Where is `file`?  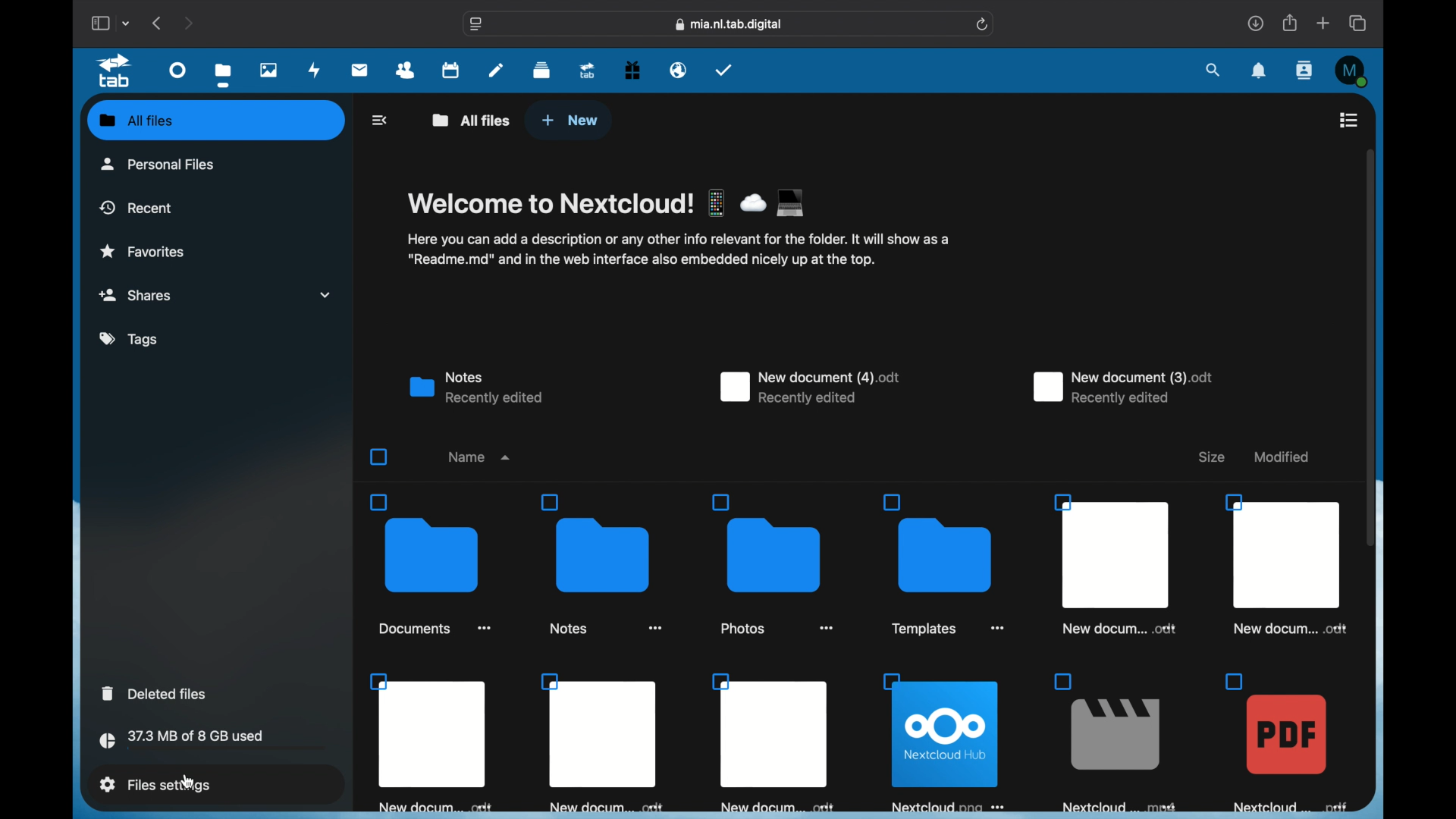 file is located at coordinates (1284, 565).